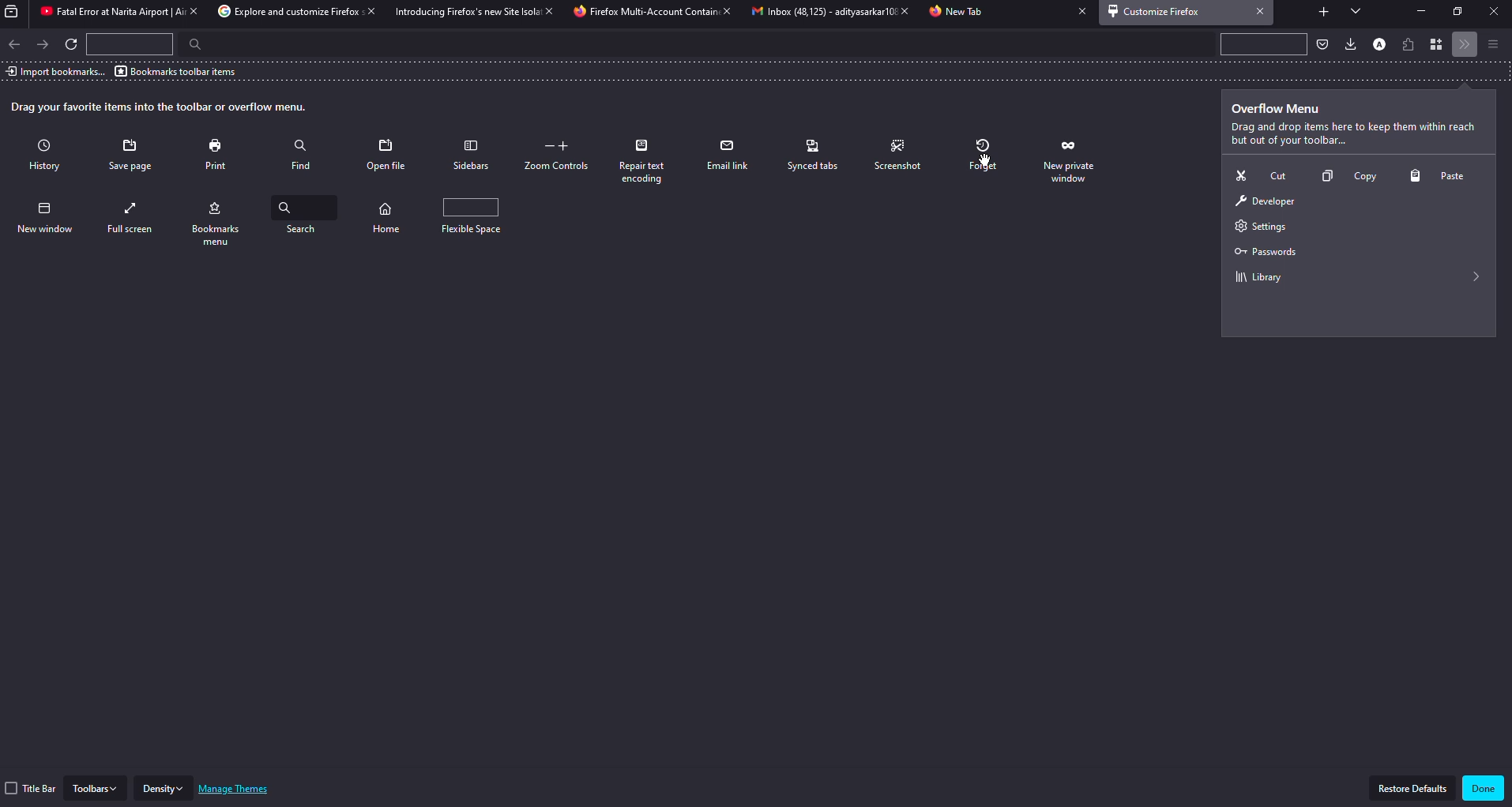 The width and height of the screenshot is (1512, 807). Describe the element at coordinates (388, 155) in the screenshot. I see `open file` at that location.